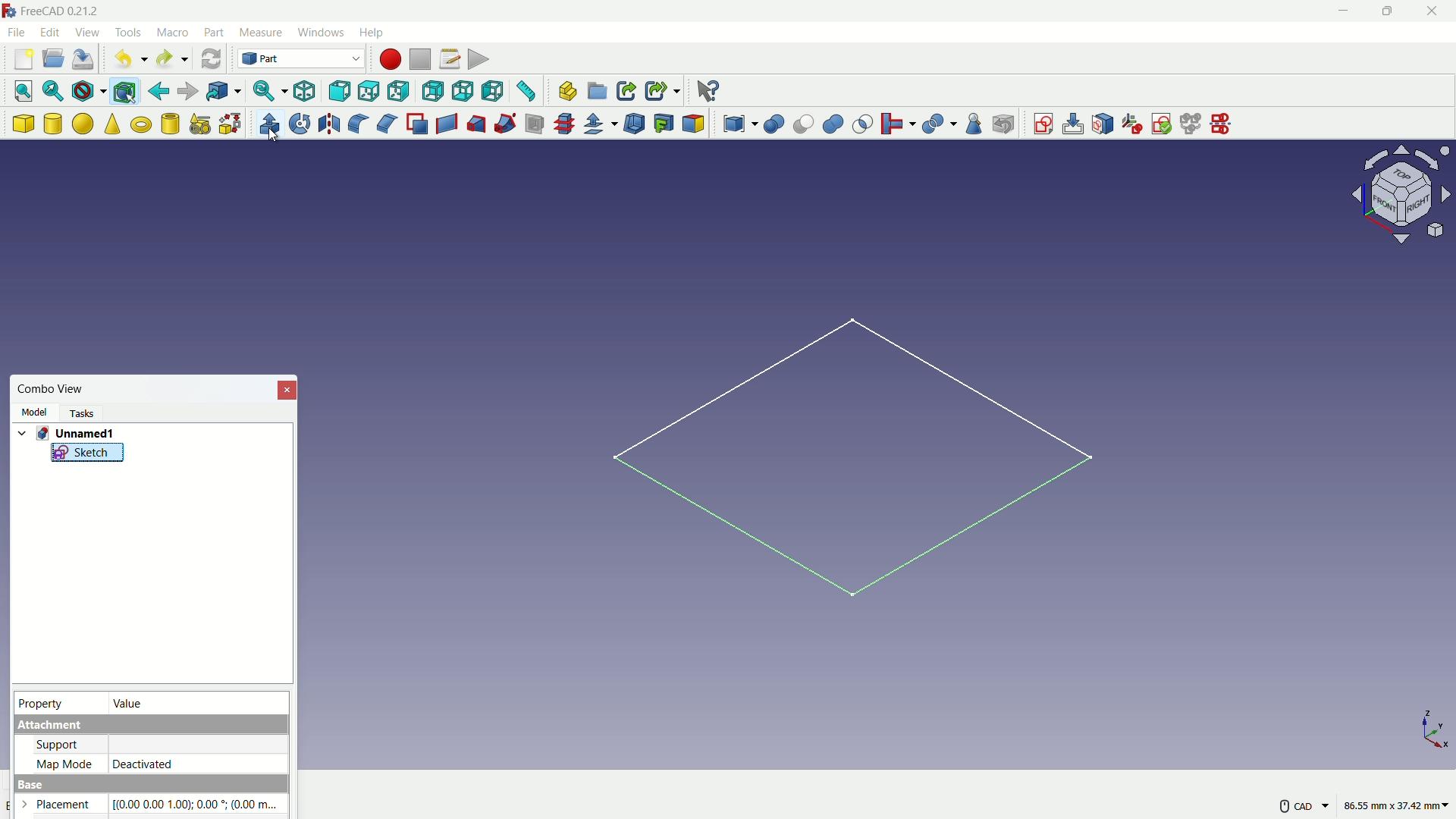  Describe the element at coordinates (775, 124) in the screenshot. I see `boolean` at that location.